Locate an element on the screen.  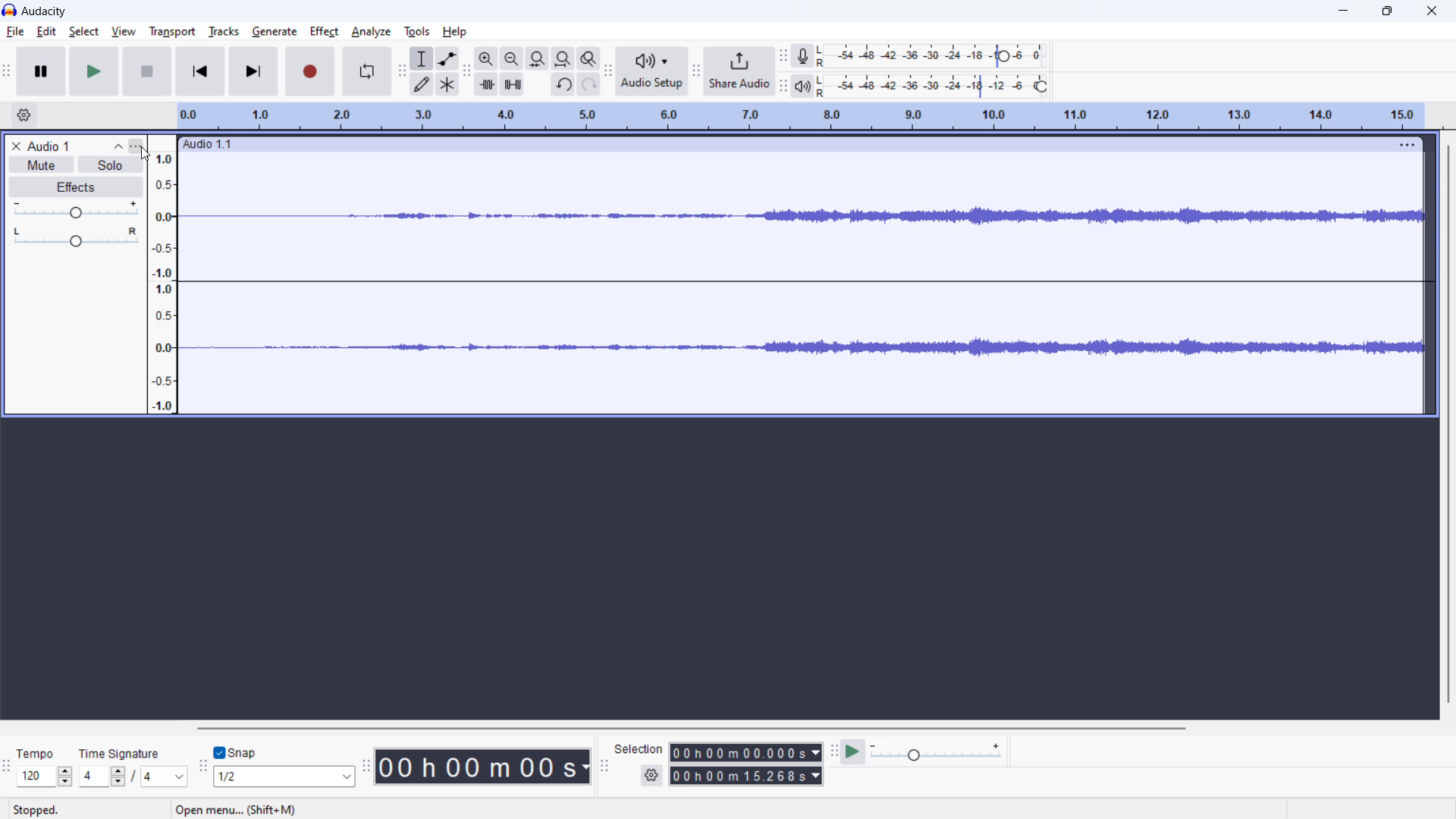
analyze is located at coordinates (371, 33).